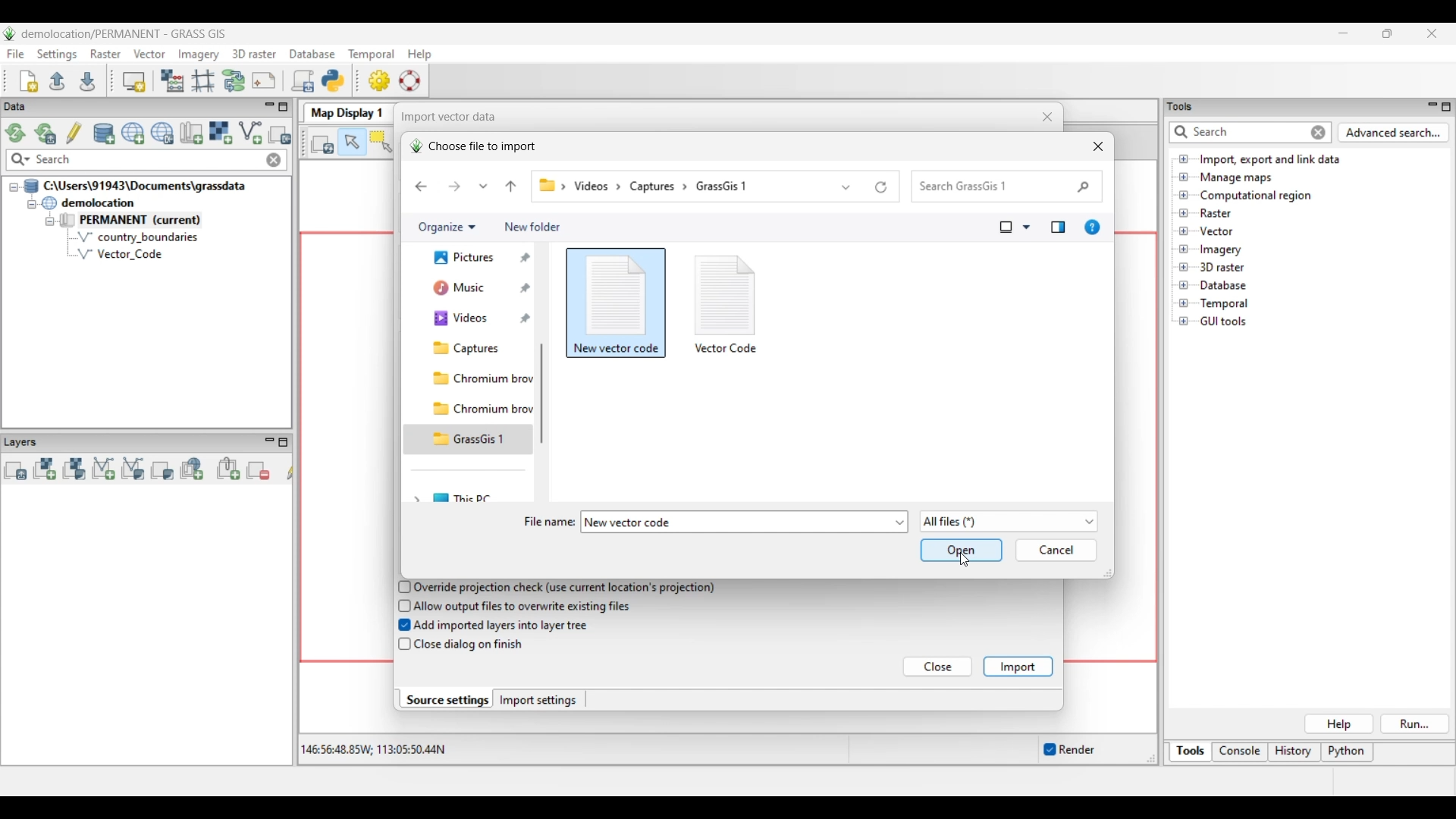 The height and width of the screenshot is (819, 1456). I want to click on Click to open files under Import, export and link data, so click(1184, 158).